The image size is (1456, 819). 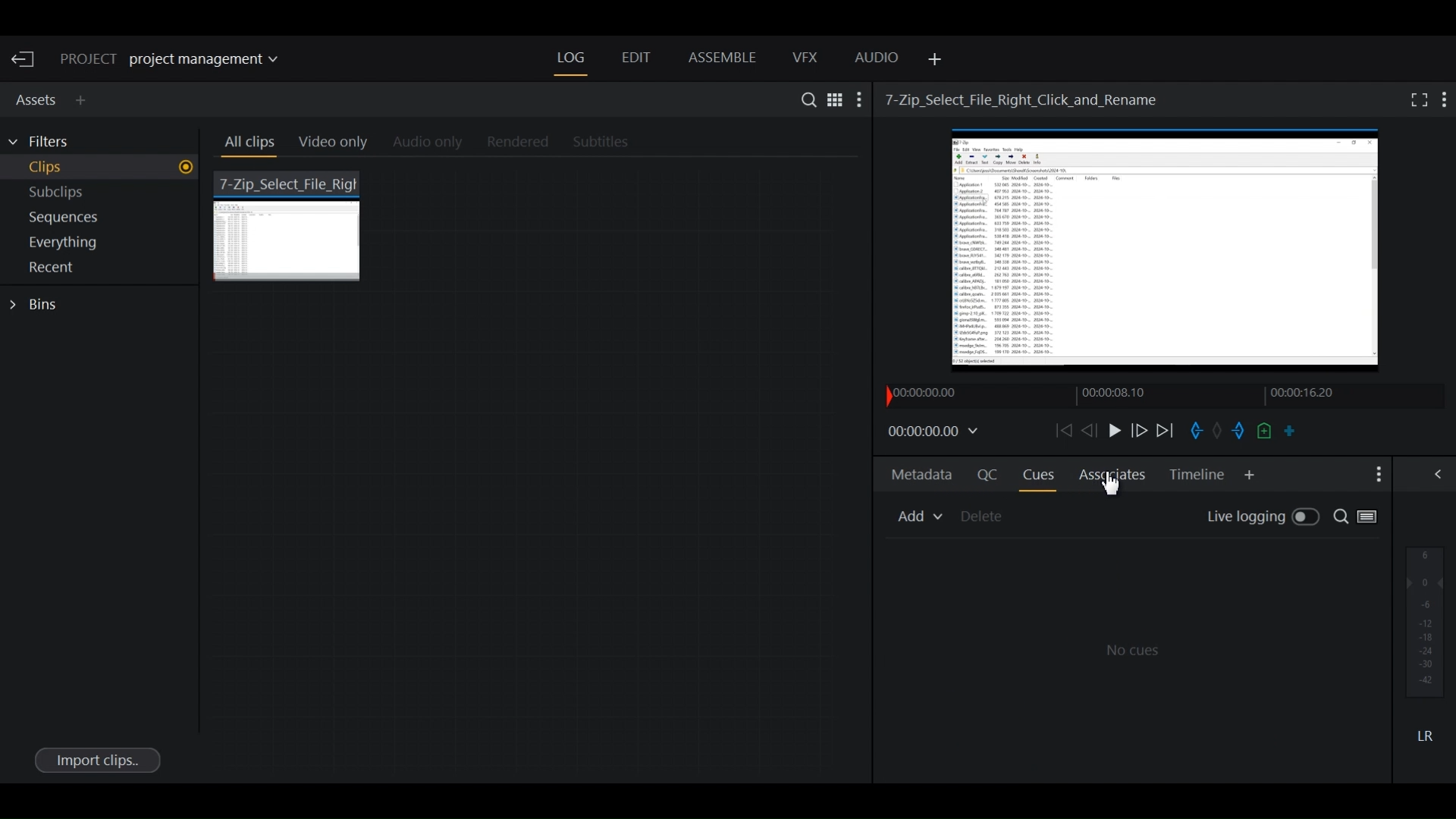 I want to click on Associates, so click(x=1109, y=481).